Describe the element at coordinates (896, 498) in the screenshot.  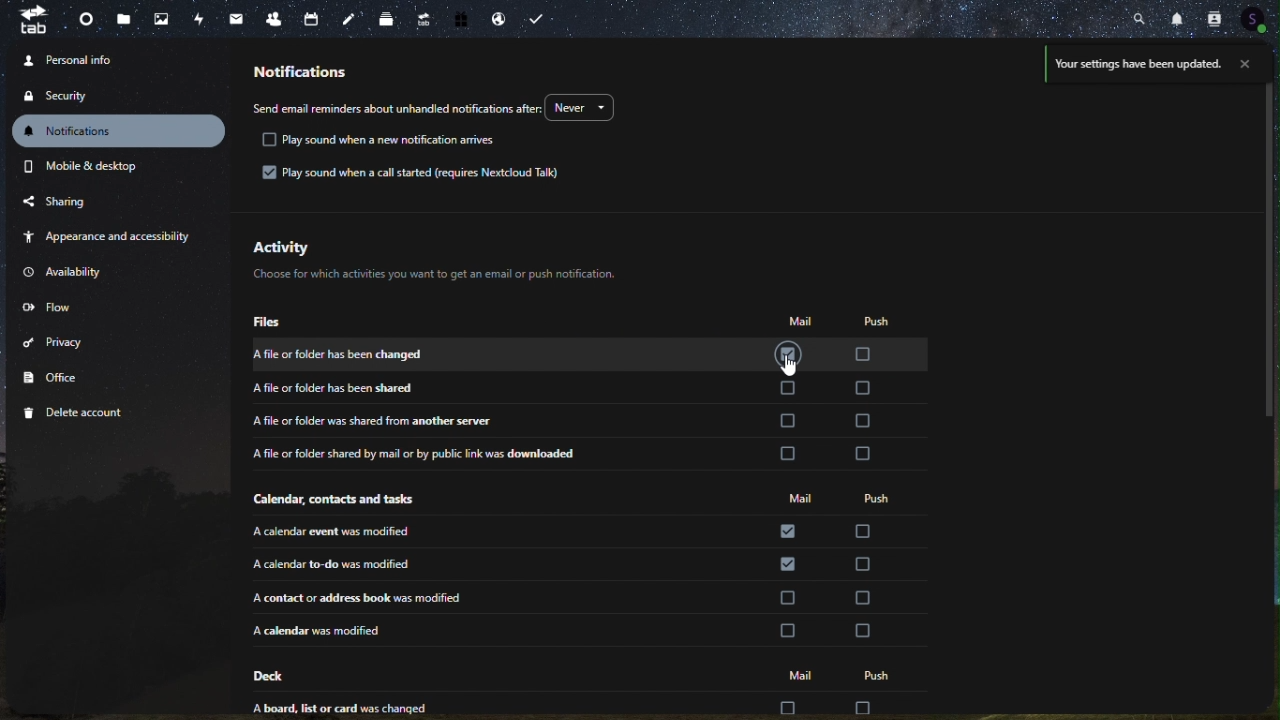
I see `push` at that location.